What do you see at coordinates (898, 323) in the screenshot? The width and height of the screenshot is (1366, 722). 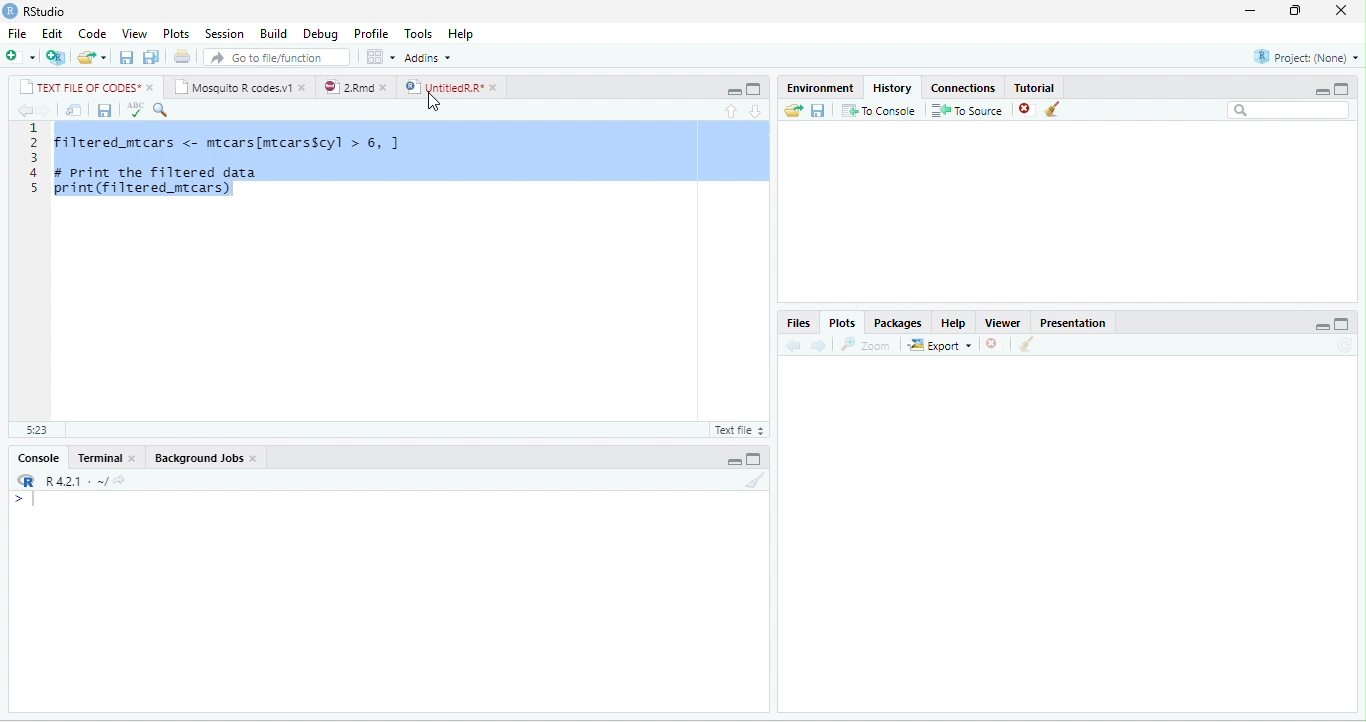 I see `Packages` at bounding box center [898, 323].